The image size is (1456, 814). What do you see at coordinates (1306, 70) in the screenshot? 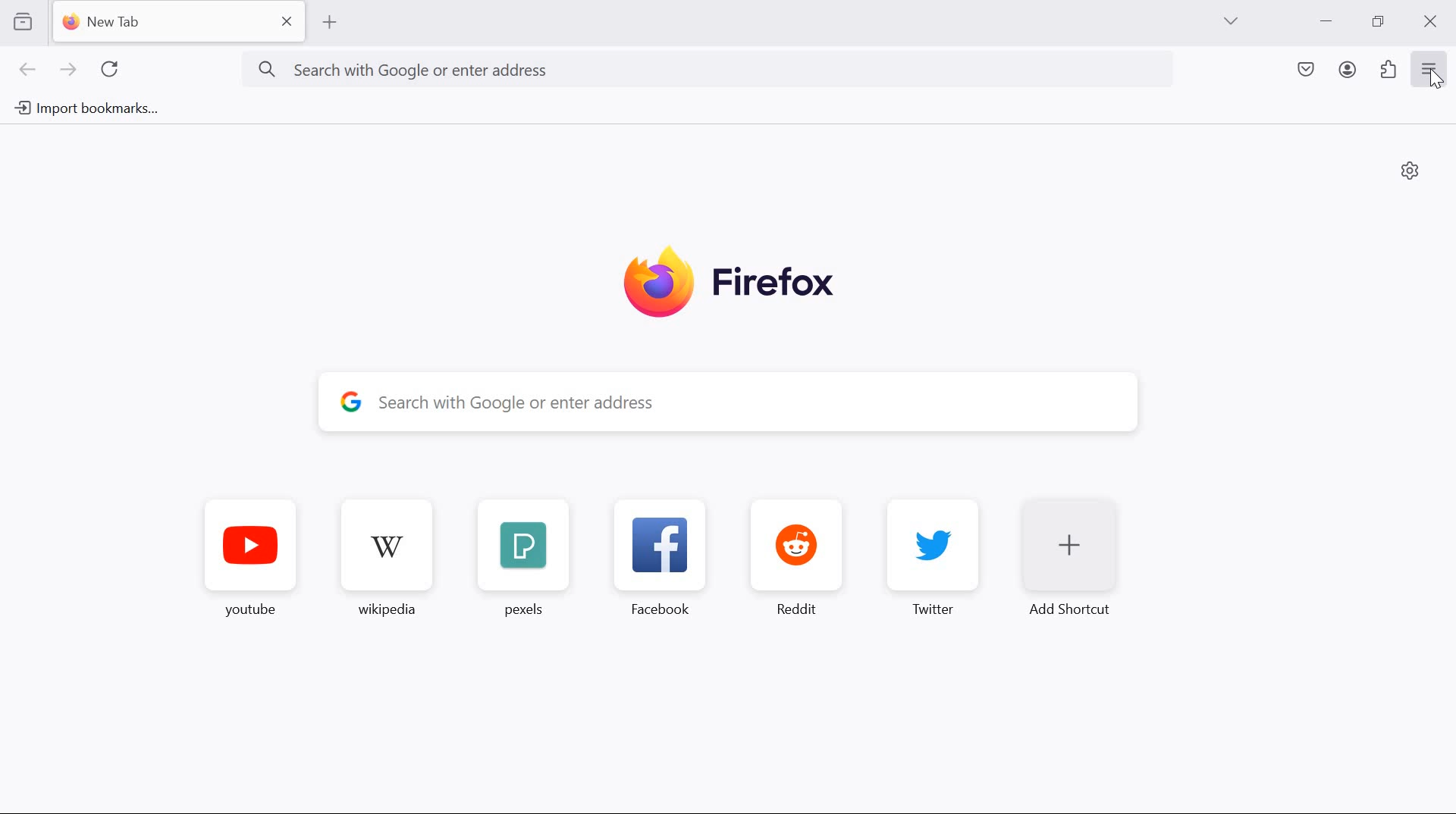
I see `save to pocket` at bounding box center [1306, 70].